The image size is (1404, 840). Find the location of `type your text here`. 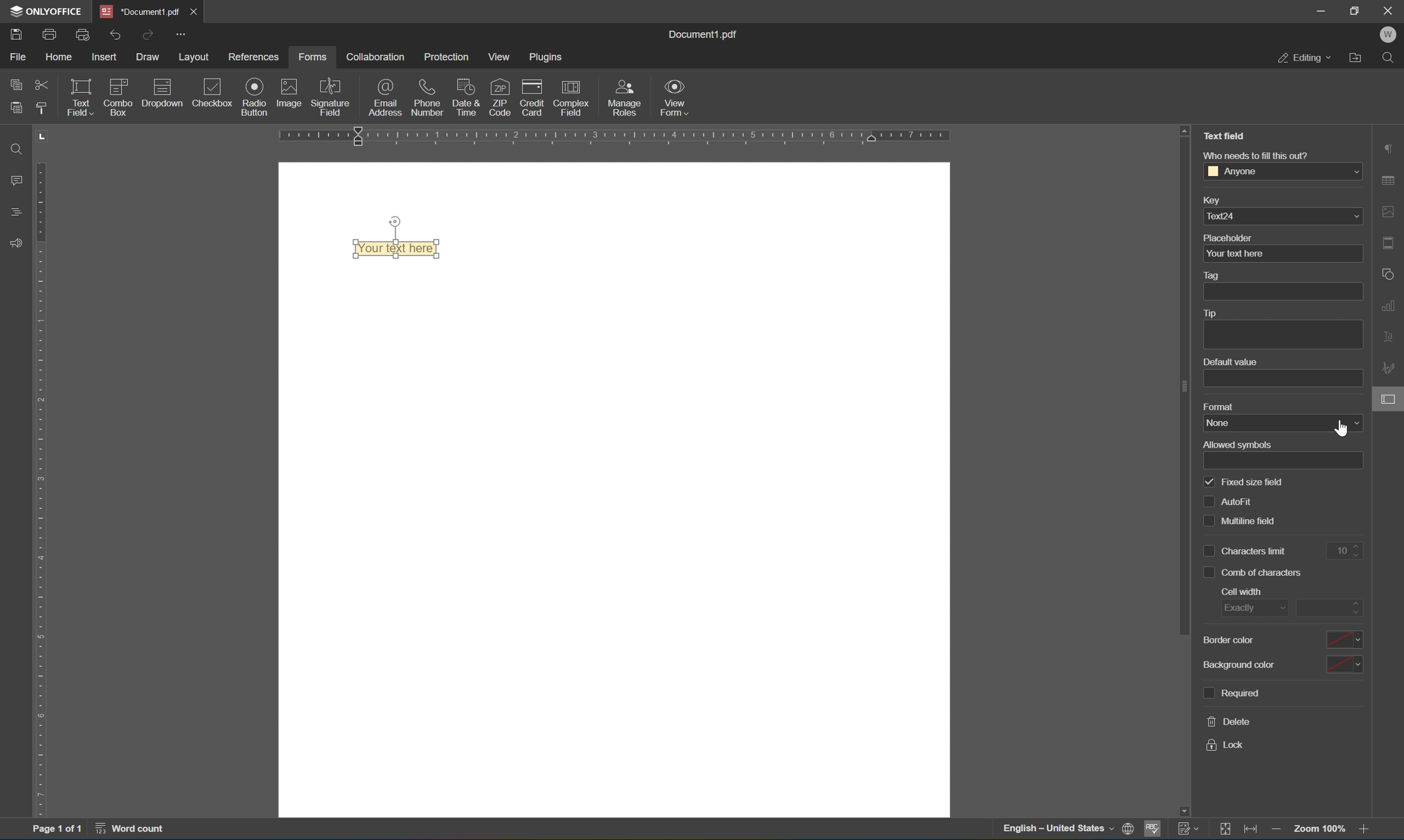

type your text here is located at coordinates (396, 248).